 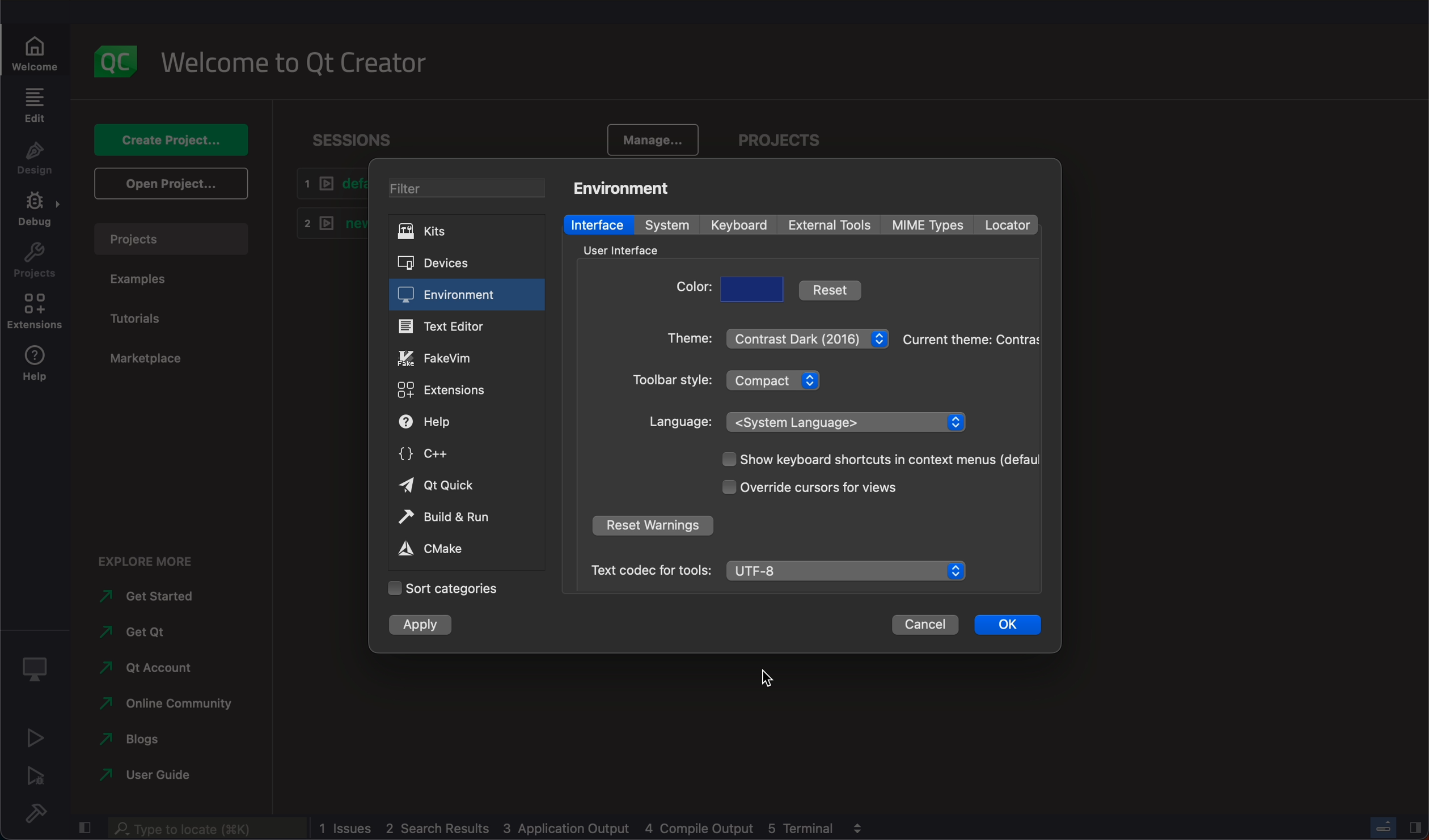 I want to click on close slidebar, so click(x=86, y=826).